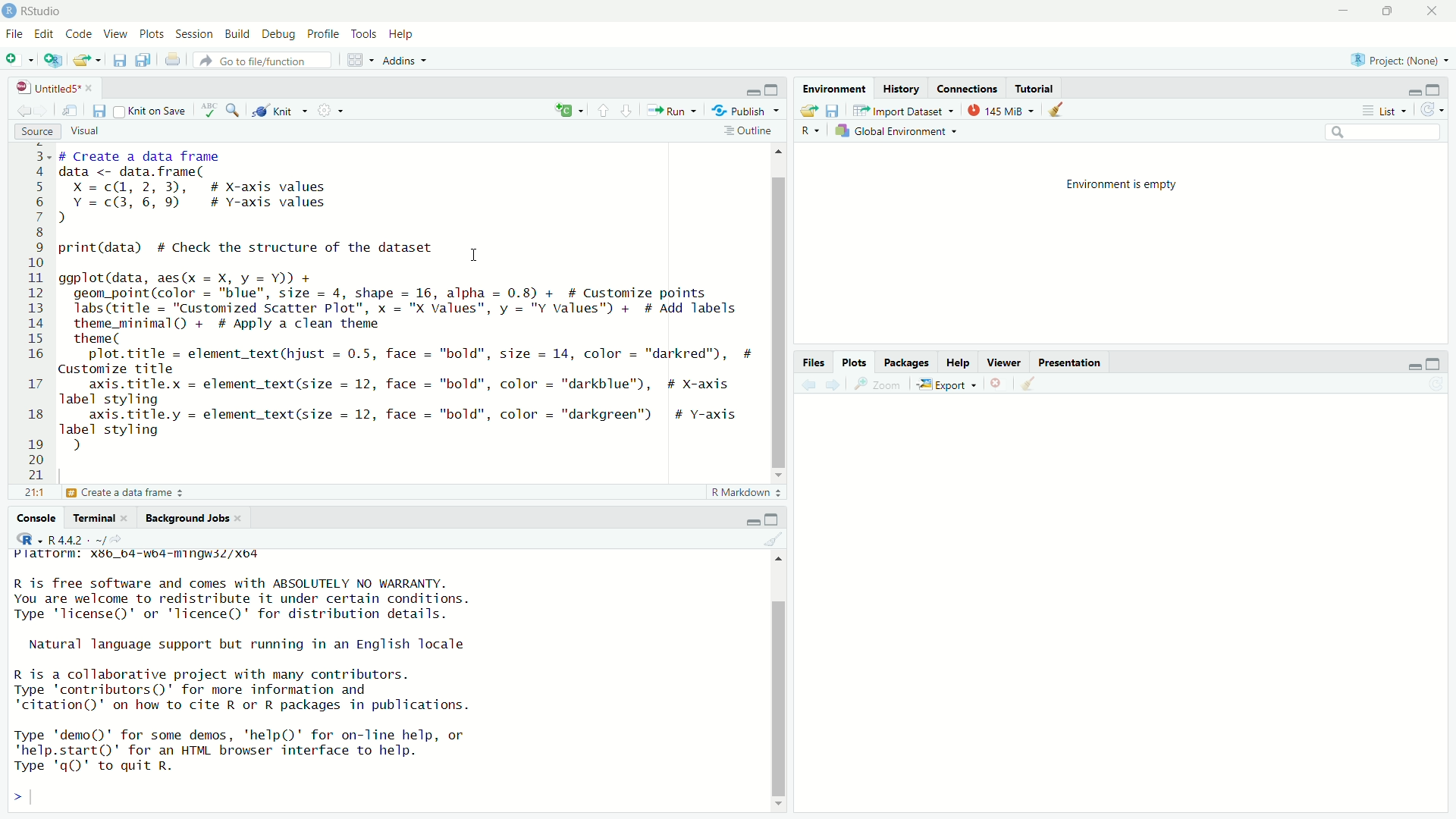  I want to click on Maximize, so click(1389, 9).